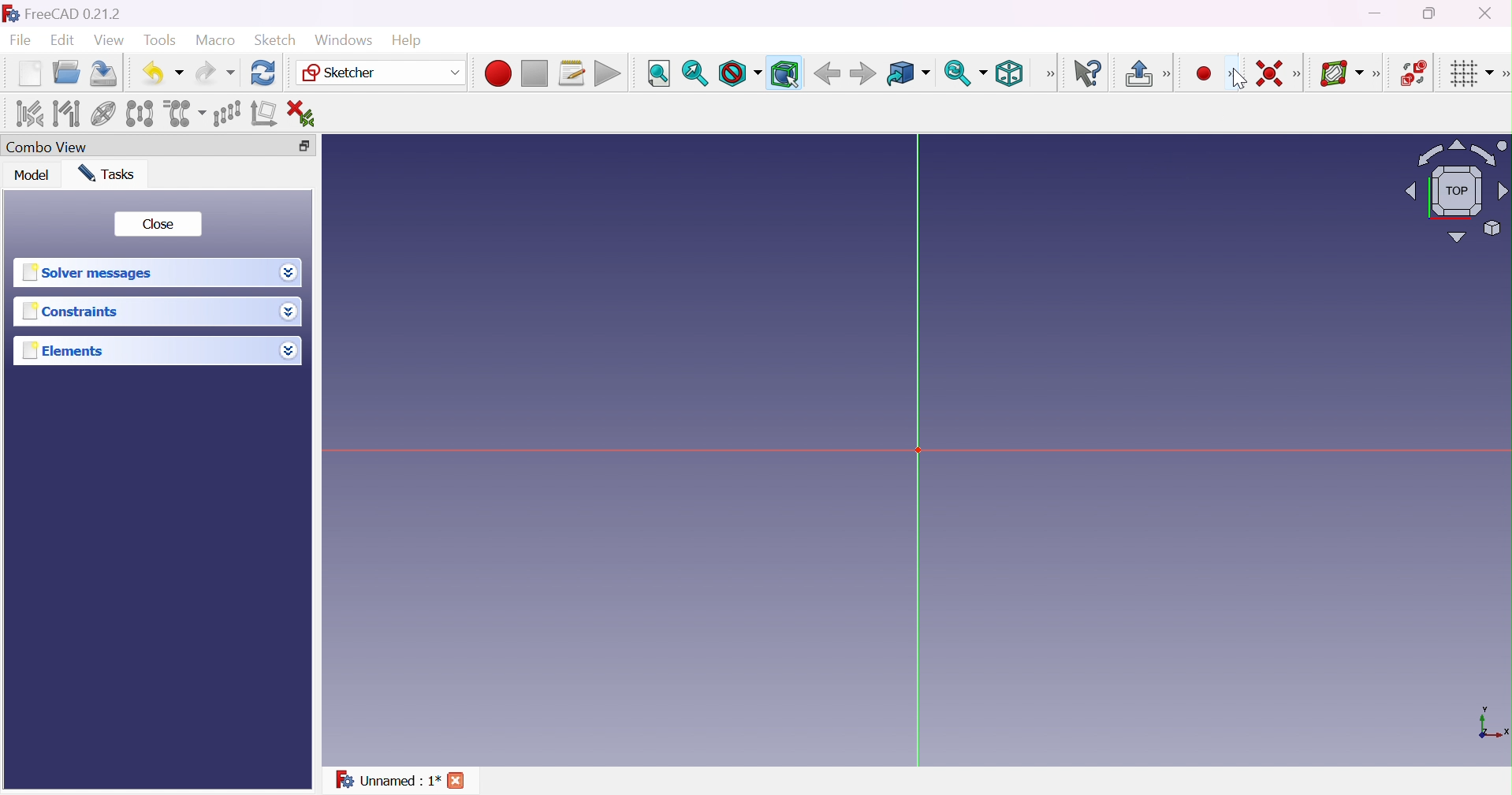 The width and height of the screenshot is (1512, 795). I want to click on Back, so click(827, 74).